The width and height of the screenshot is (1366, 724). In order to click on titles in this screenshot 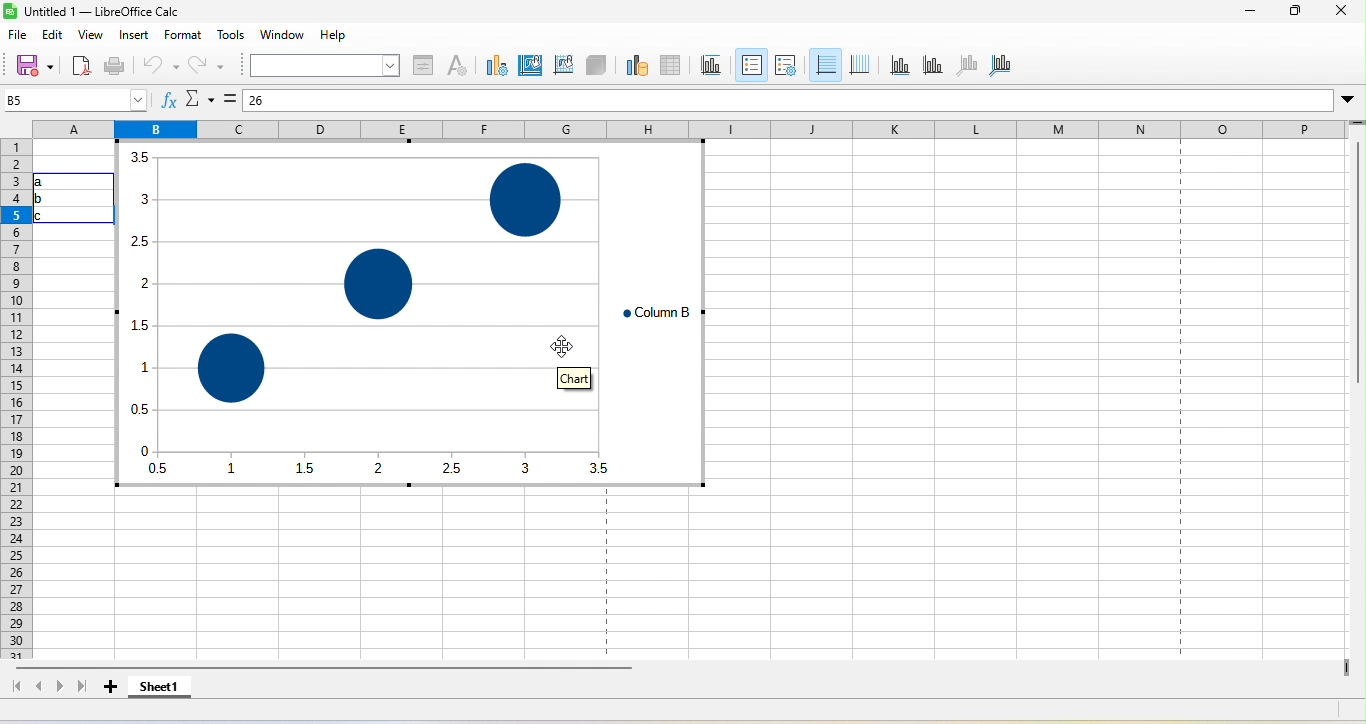, I will do `click(710, 64)`.